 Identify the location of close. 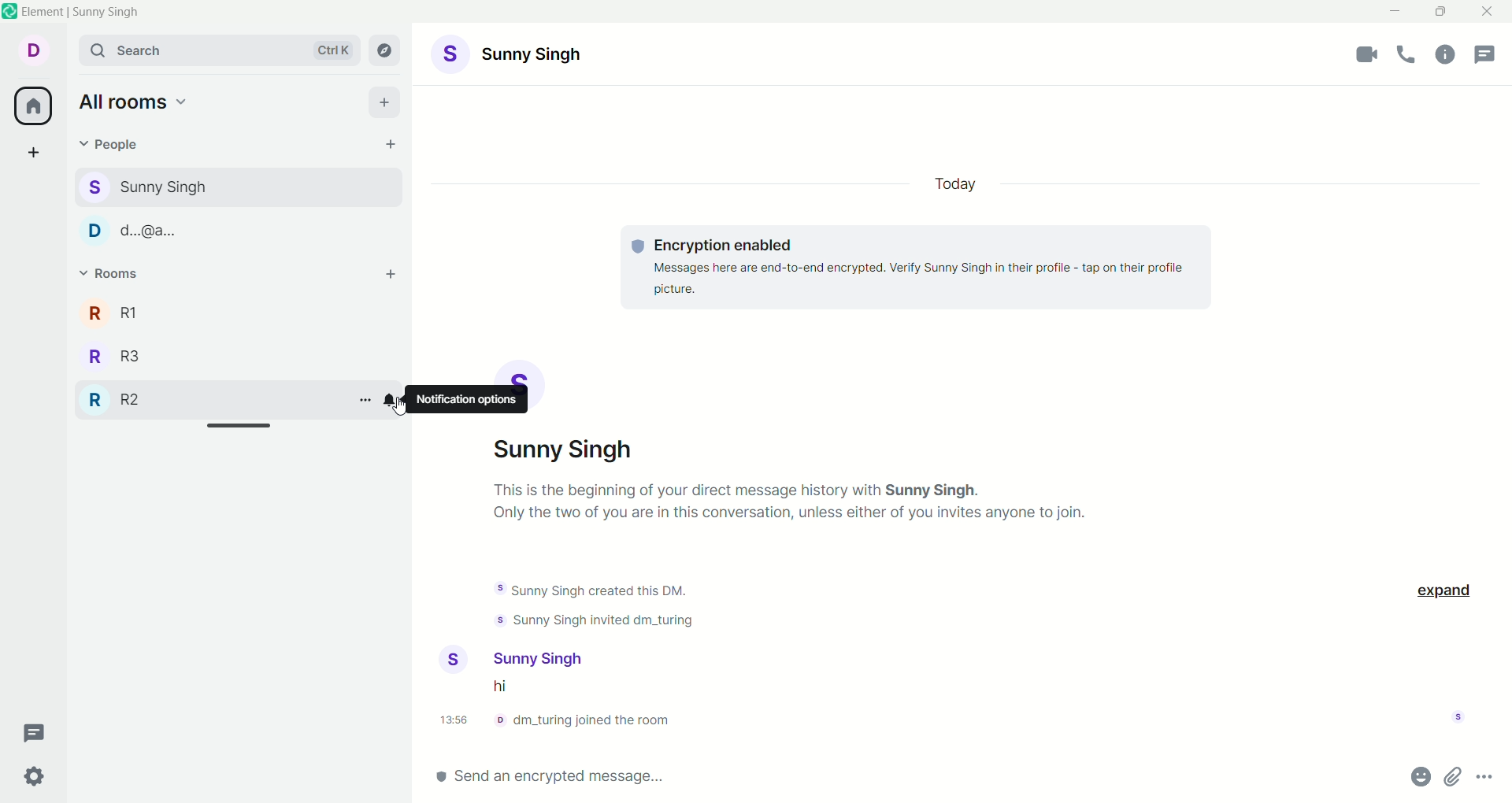
(1490, 13).